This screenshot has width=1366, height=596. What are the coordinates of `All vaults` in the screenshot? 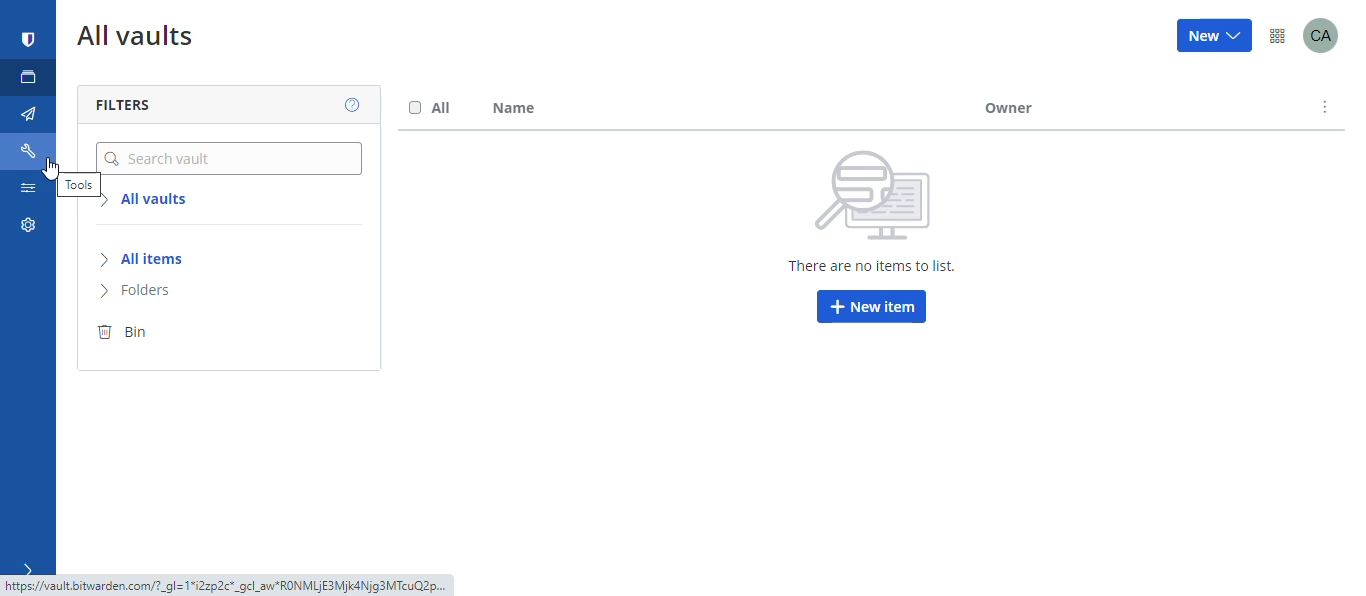 It's located at (142, 40).